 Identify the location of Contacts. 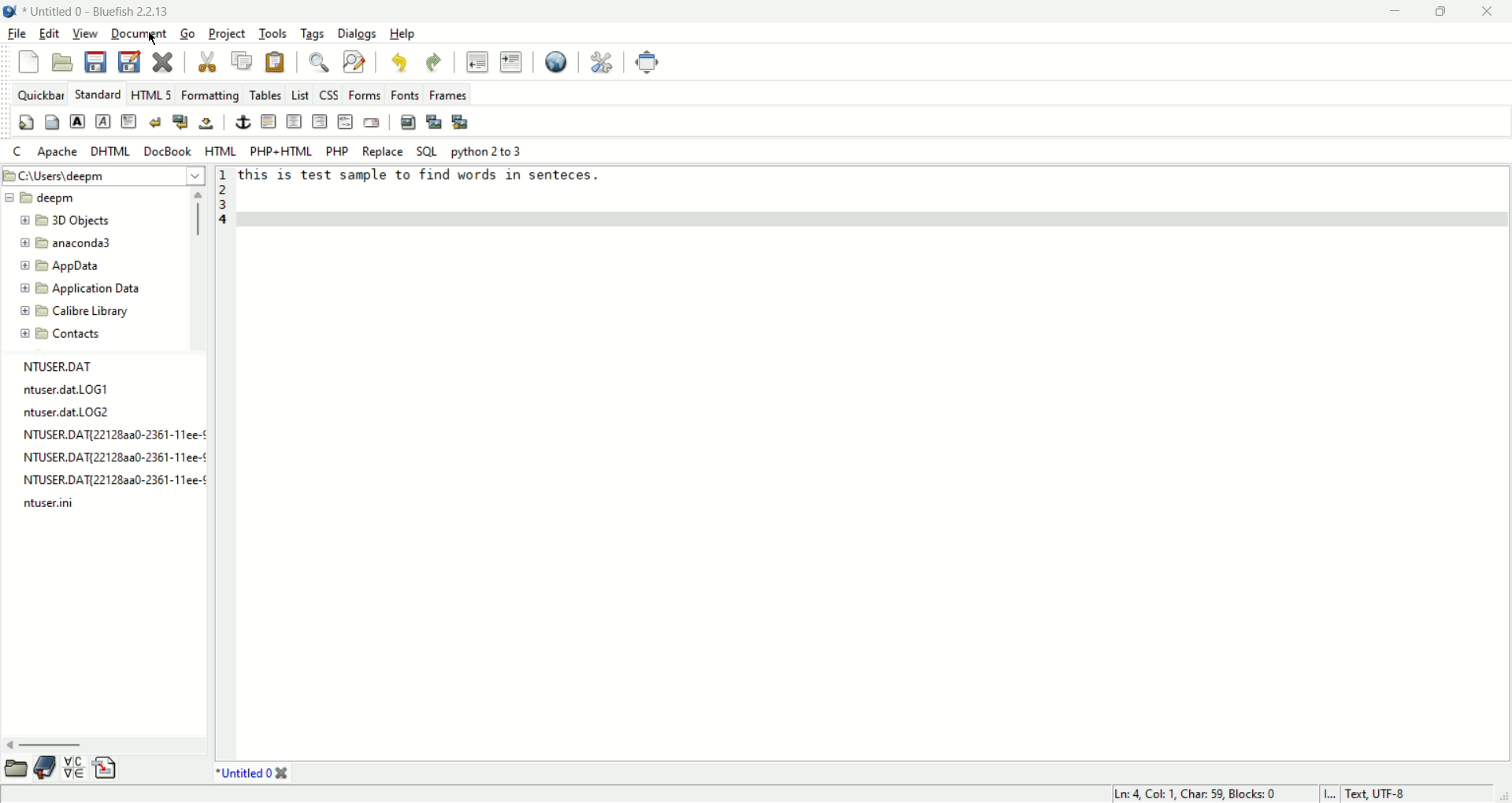
(95, 334).